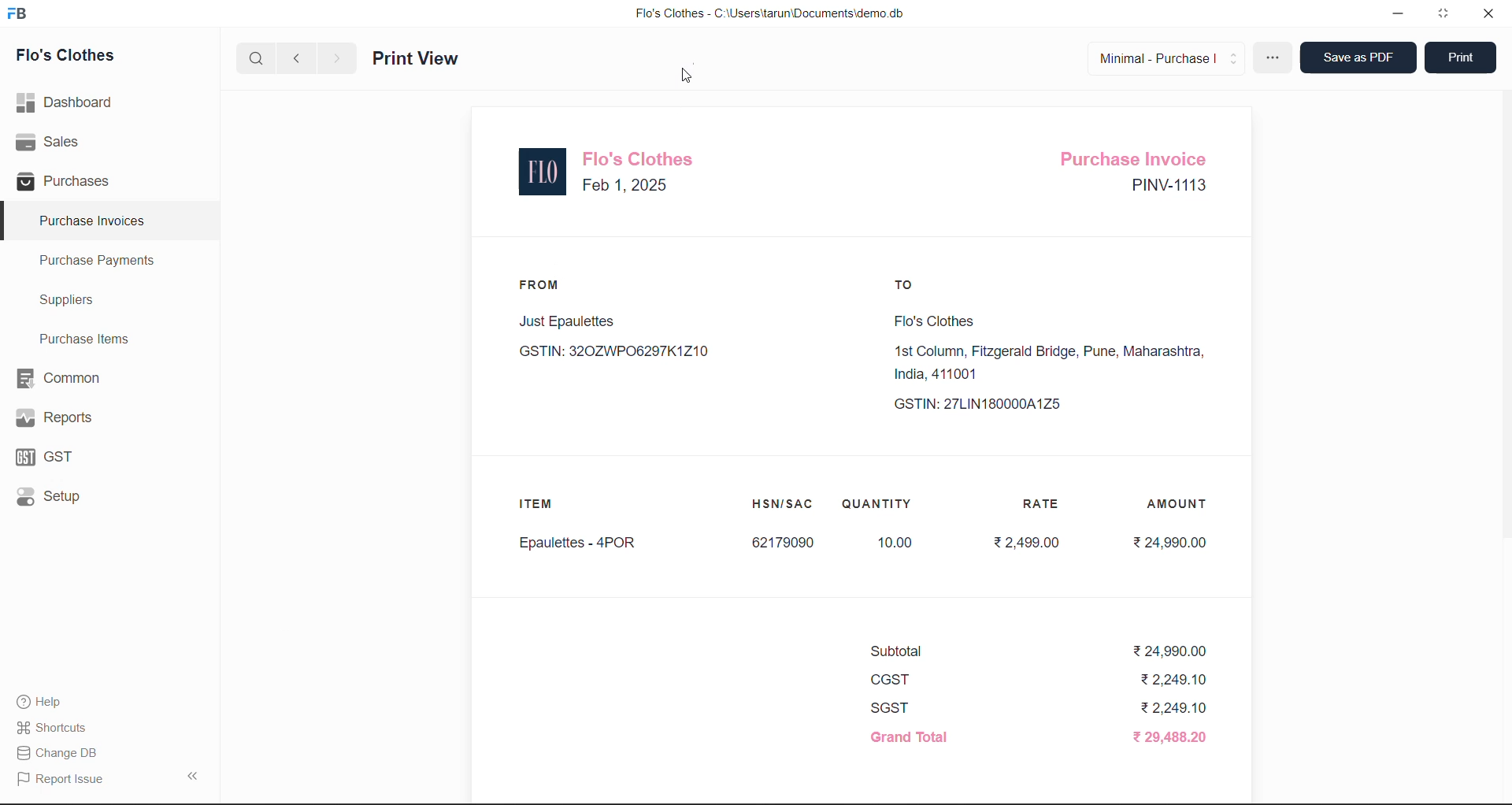 The image size is (1512, 805). I want to click on Report Issue, so click(65, 777).